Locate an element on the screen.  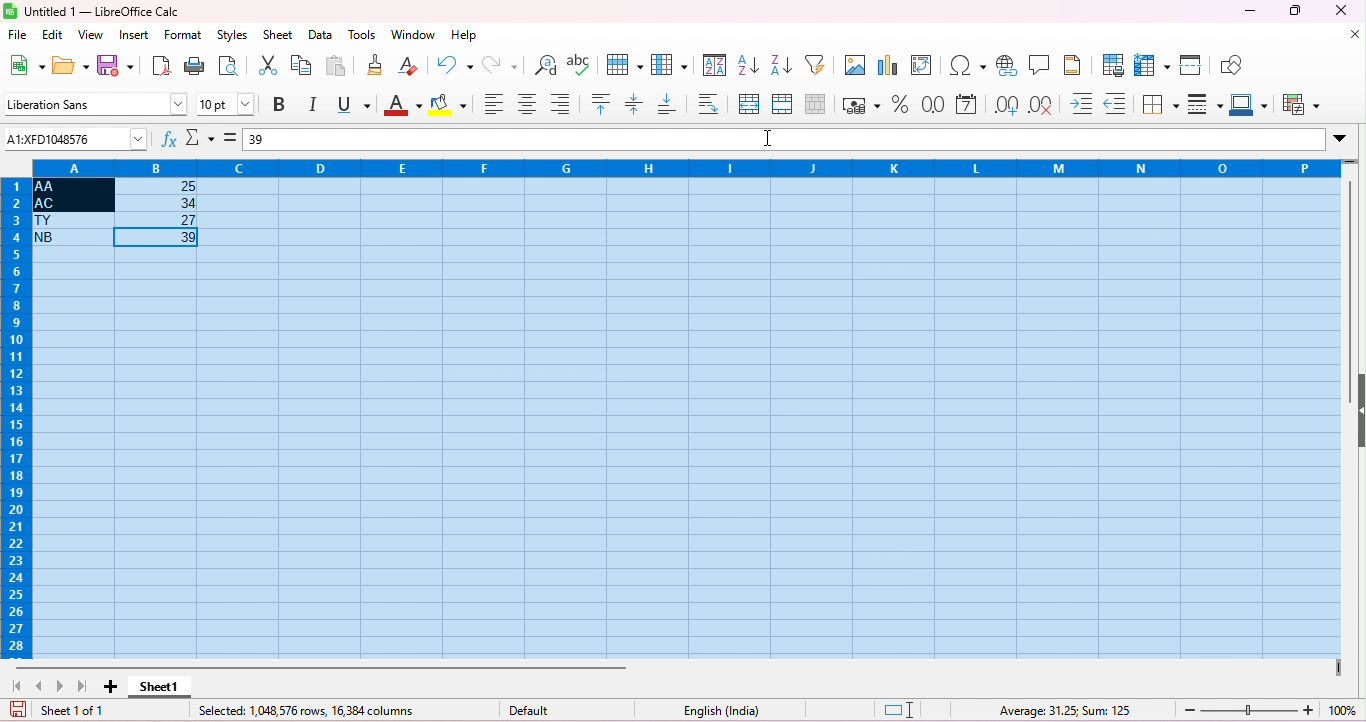
sheet is located at coordinates (280, 36).